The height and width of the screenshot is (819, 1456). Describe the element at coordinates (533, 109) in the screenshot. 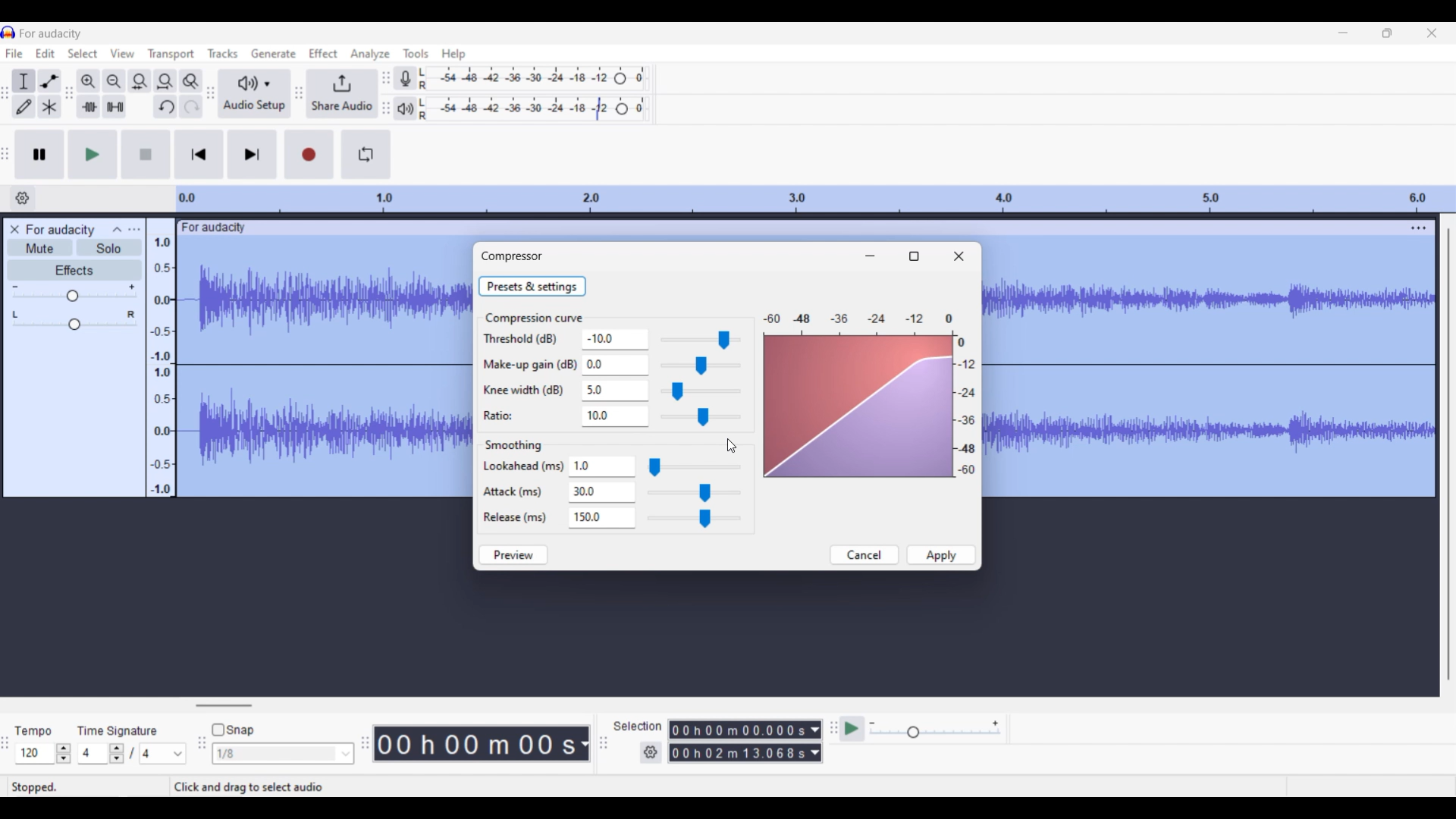

I see `Playback level` at that location.